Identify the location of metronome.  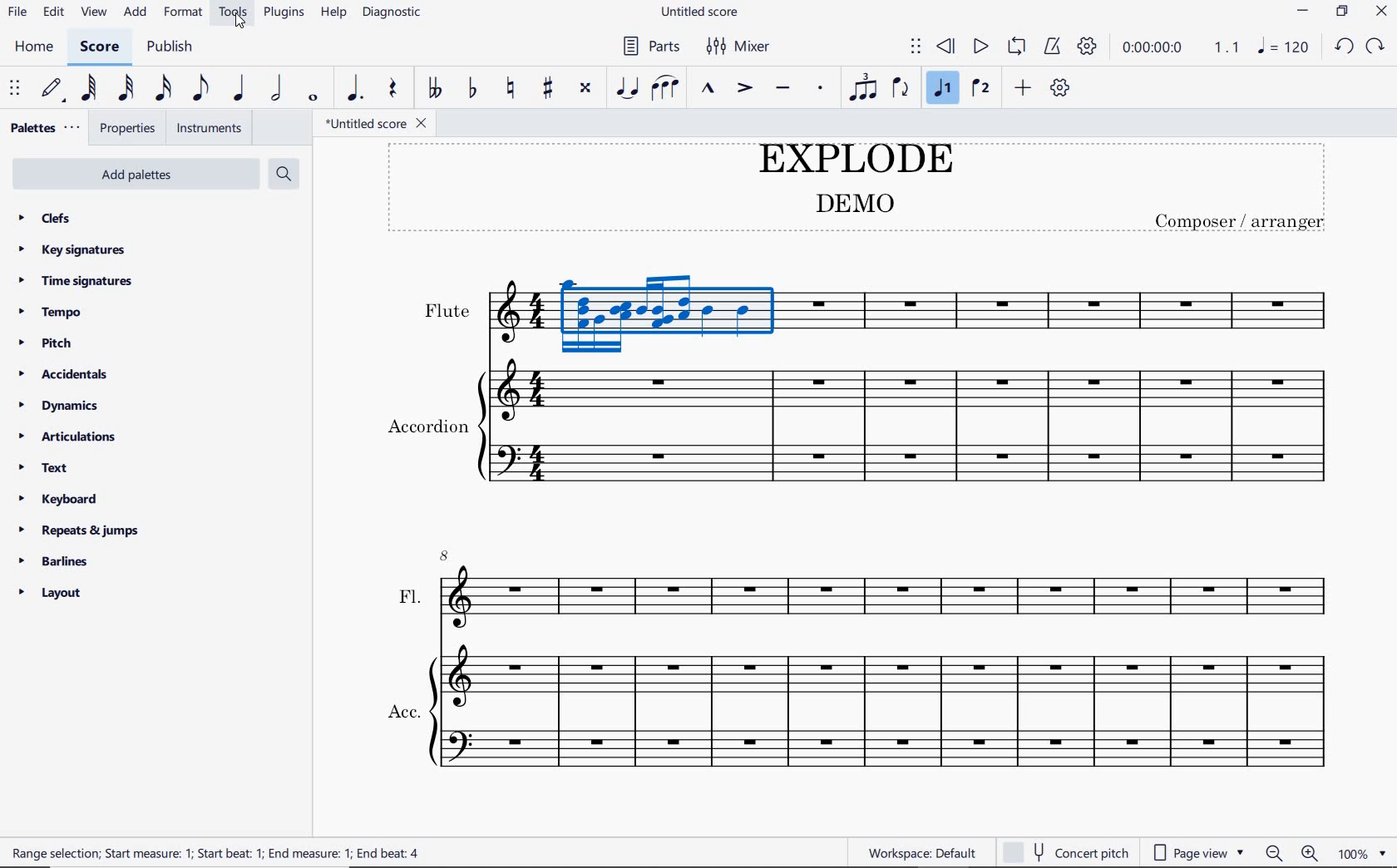
(1052, 46).